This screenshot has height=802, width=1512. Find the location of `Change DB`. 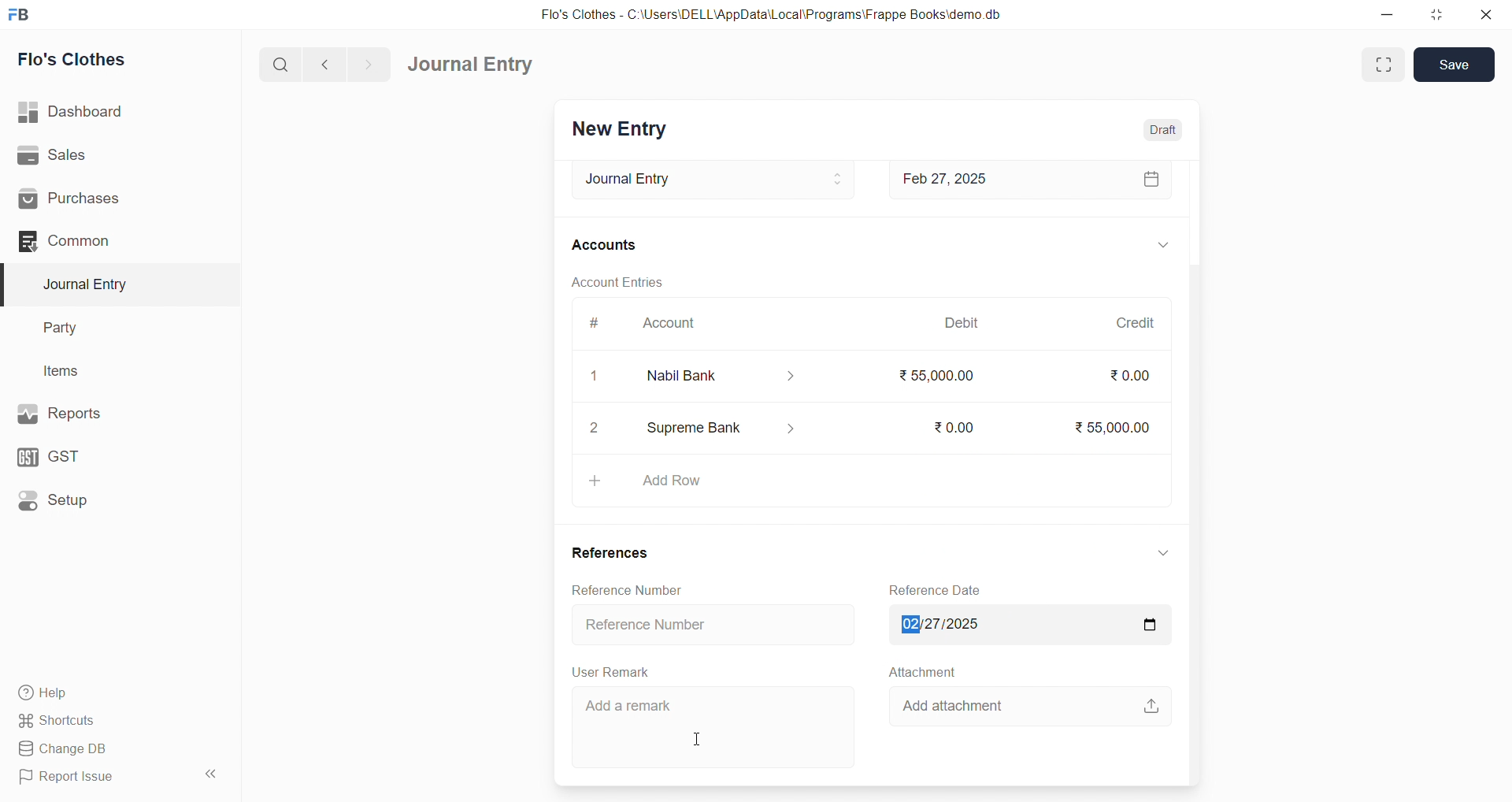

Change DB is located at coordinates (98, 748).